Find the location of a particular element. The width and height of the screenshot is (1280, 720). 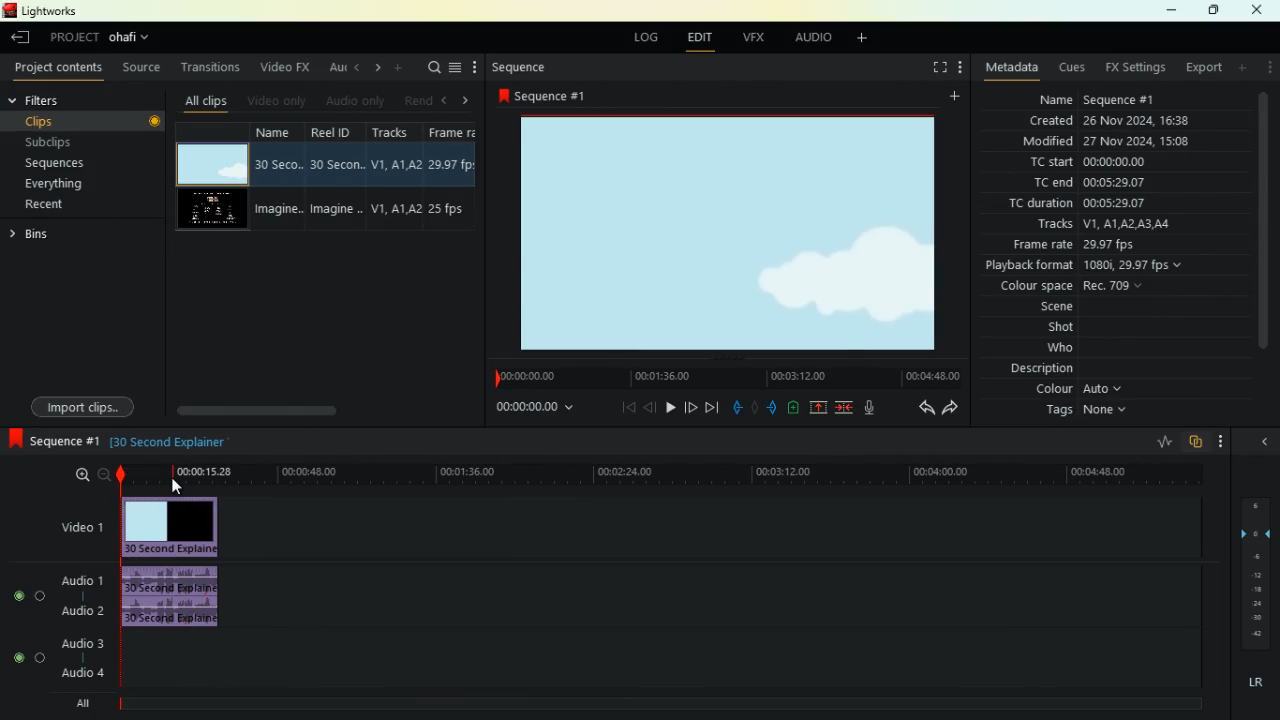

log is located at coordinates (640, 37).